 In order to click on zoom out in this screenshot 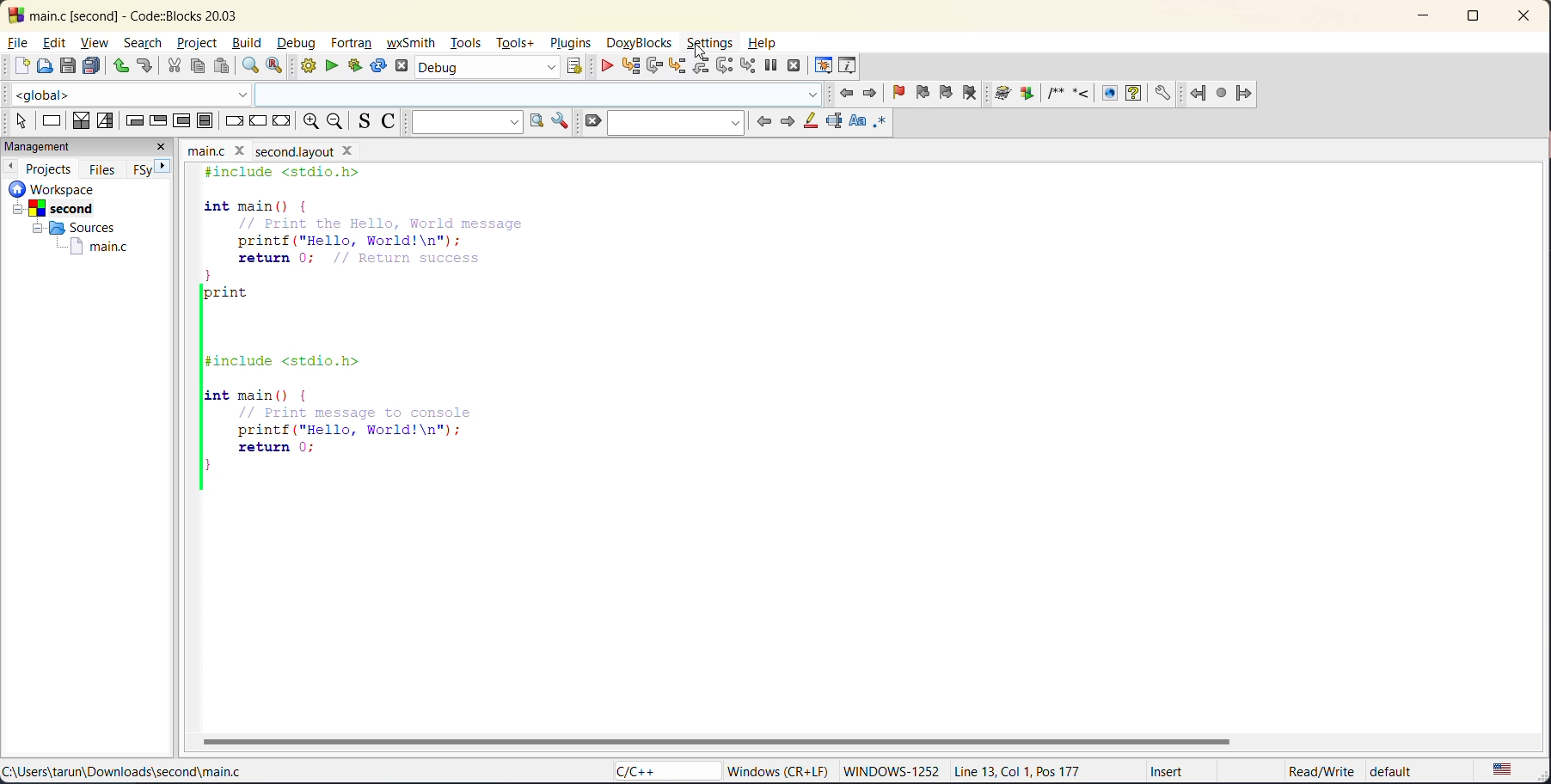, I will do `click(340, 121)`.